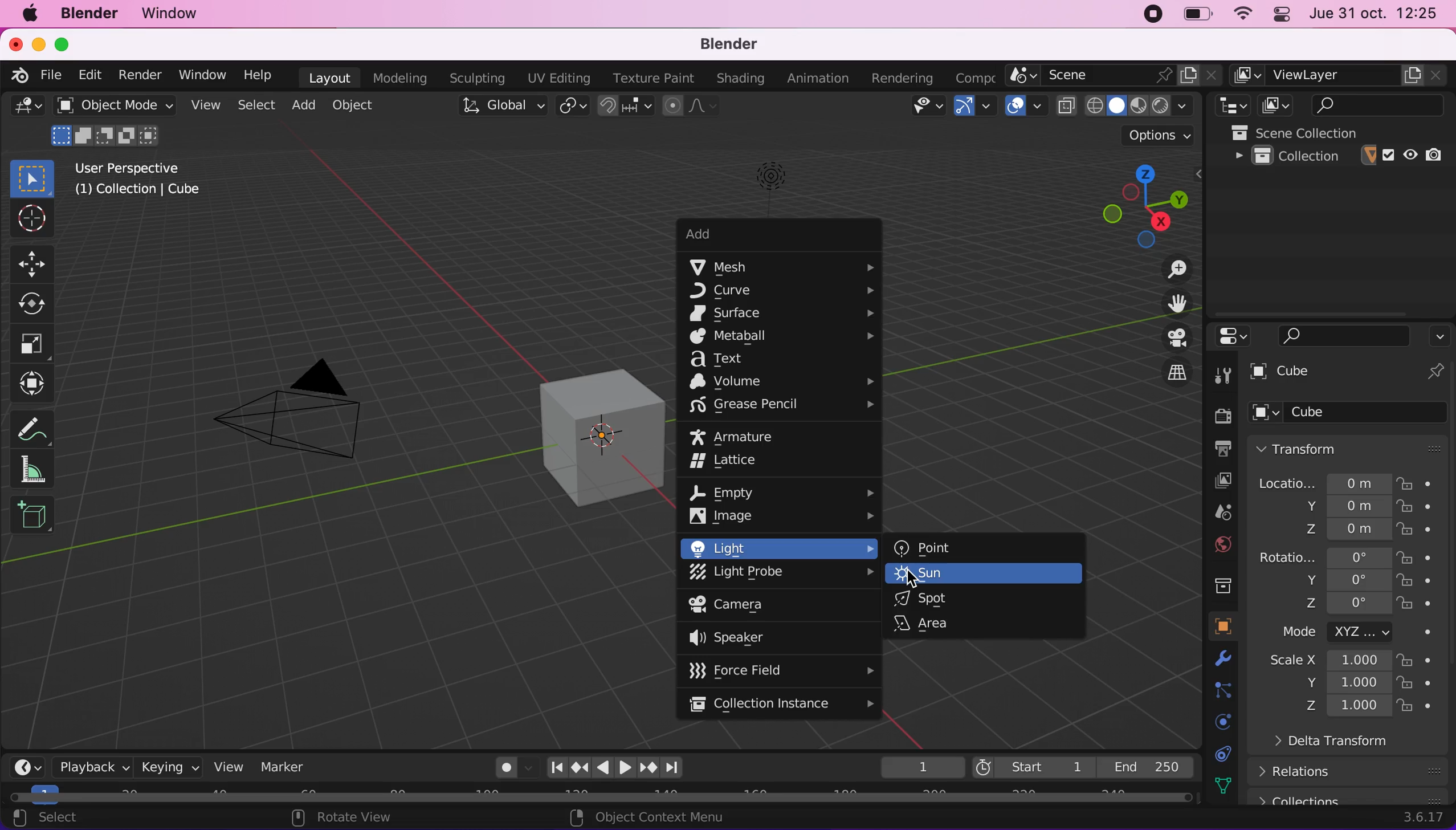 The width and height of the screenshot is (1456, 830). Describe the element at coordinates (1425, 558) in the screenshot. I see `lock` at that location.